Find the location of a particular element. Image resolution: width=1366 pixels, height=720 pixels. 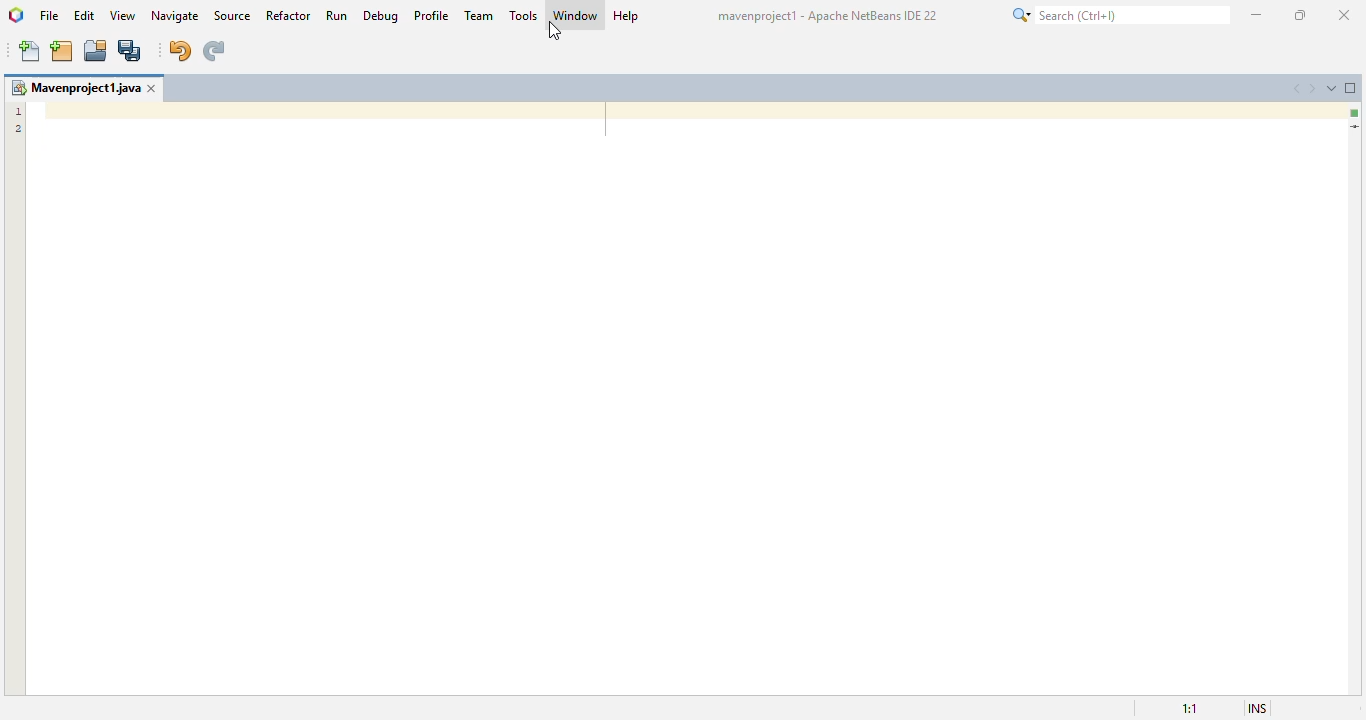

new project is located at coordinates (62, 51).